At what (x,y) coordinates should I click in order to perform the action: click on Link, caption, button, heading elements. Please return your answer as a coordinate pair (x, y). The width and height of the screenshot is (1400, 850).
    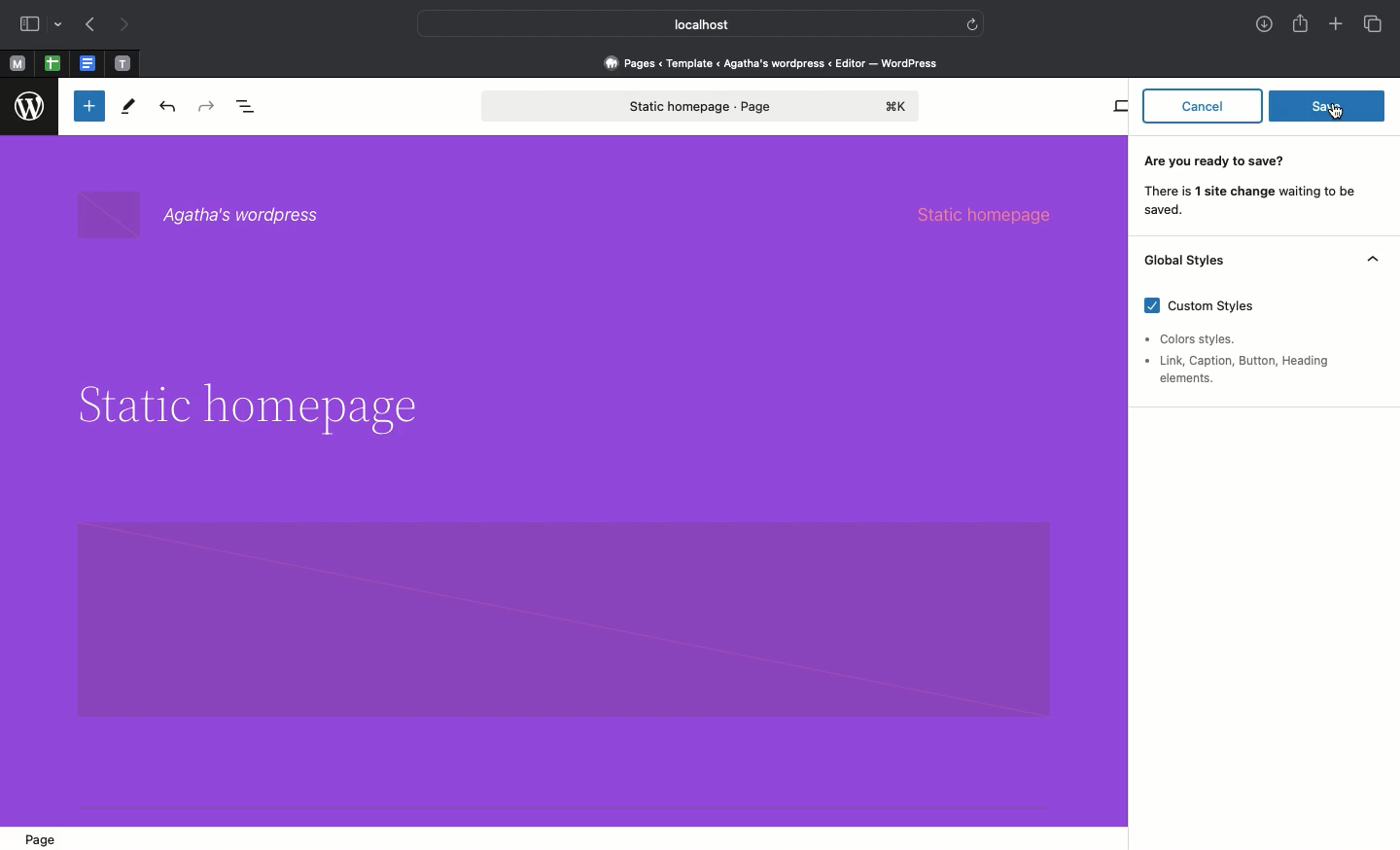
    Looking at the image, I should click on (1244, 370).